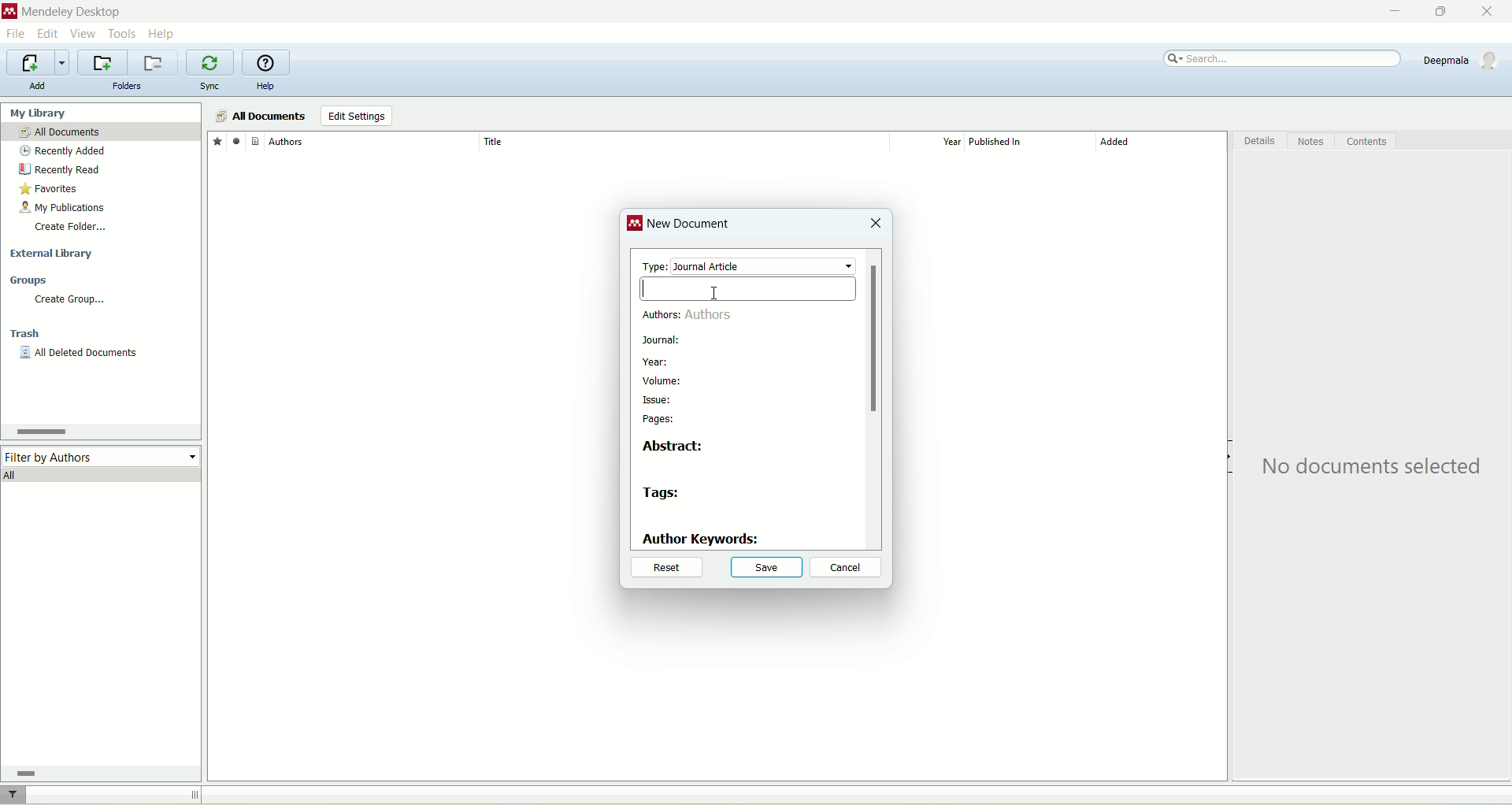 This screenshot has height=805, width=1512. Describe the element at coordinates (128, 87) in the screenshot. I see `folders` at that location.